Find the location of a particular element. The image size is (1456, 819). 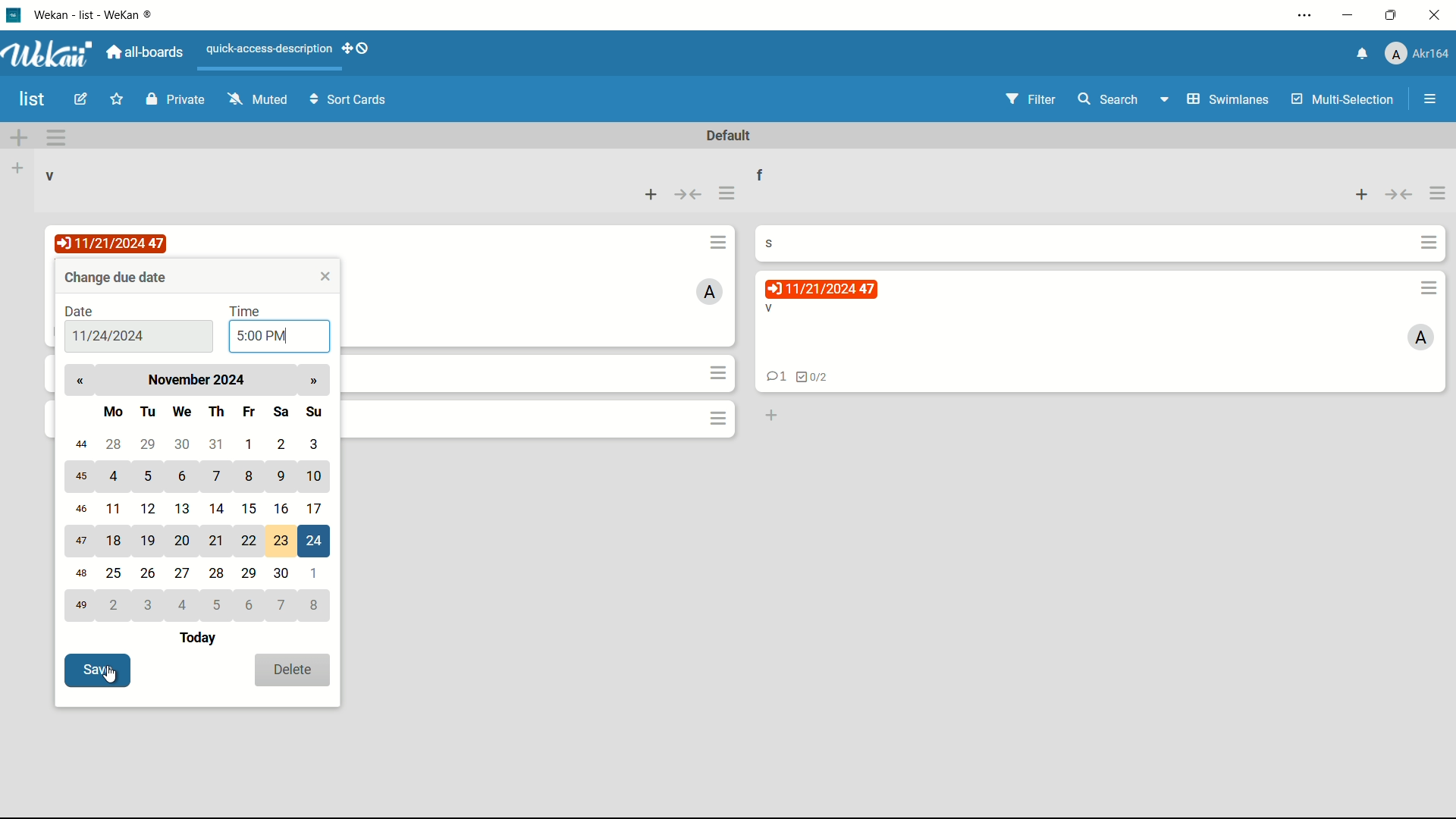

filter is located at coordinates (1031, 99).